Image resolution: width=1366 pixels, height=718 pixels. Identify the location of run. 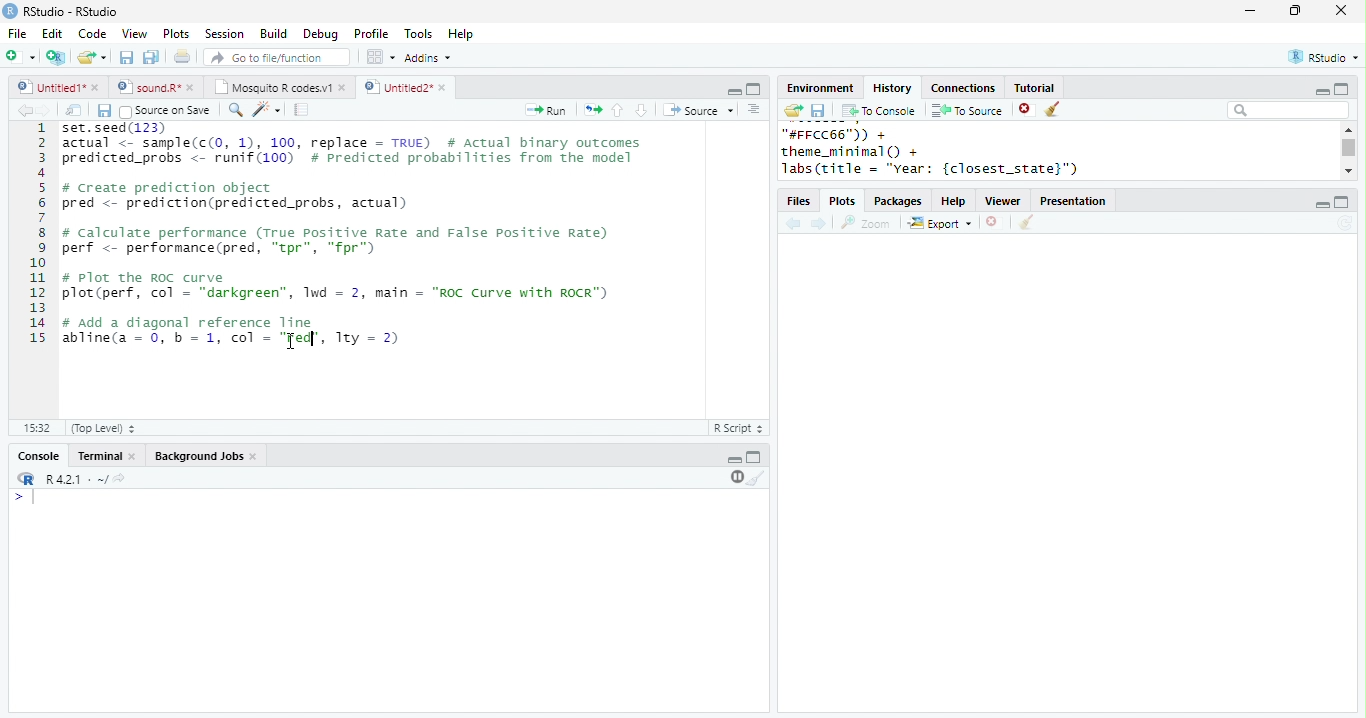
(545, 110).